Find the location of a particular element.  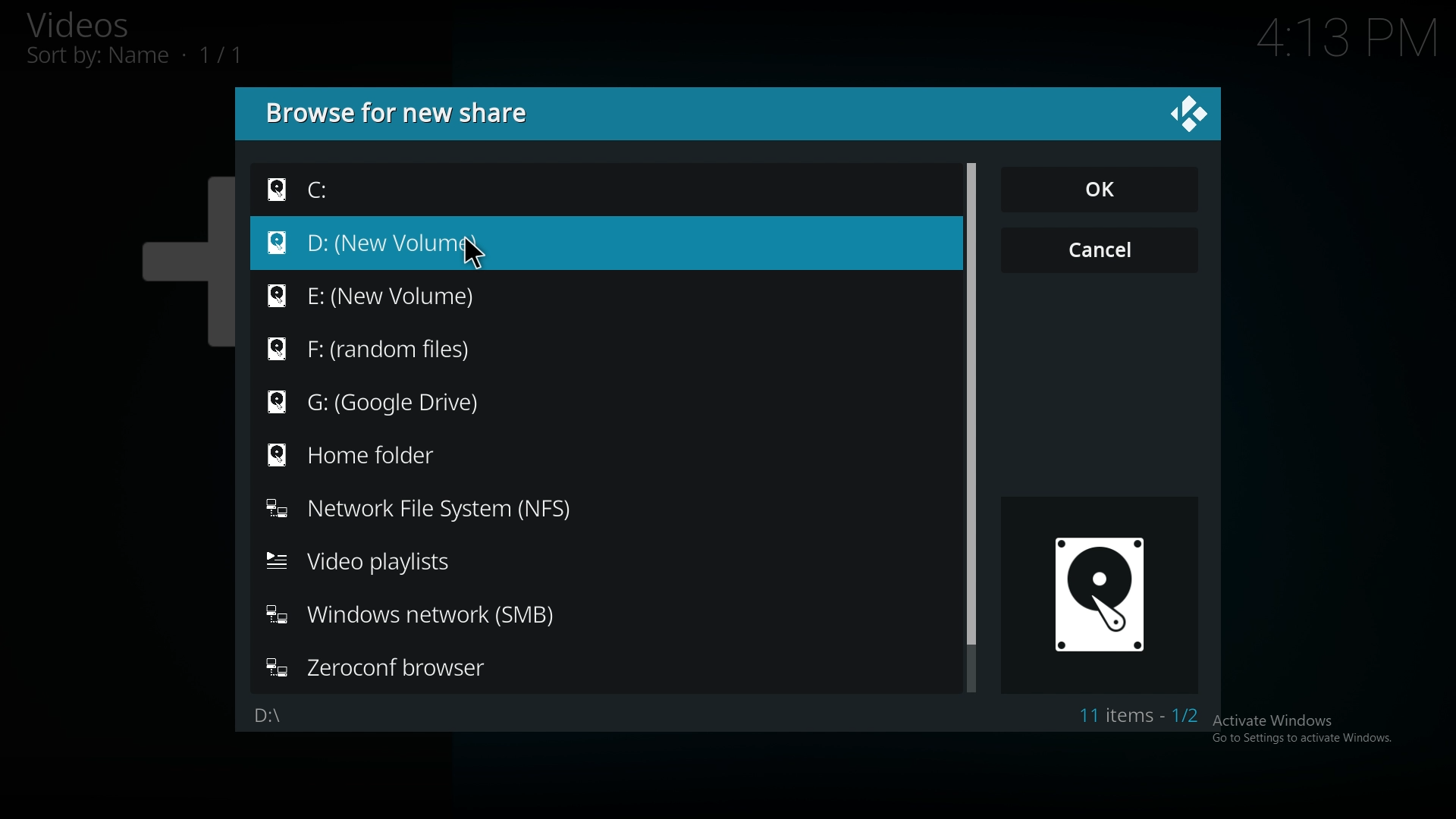

cancel is located at coordinates (1101, 249).